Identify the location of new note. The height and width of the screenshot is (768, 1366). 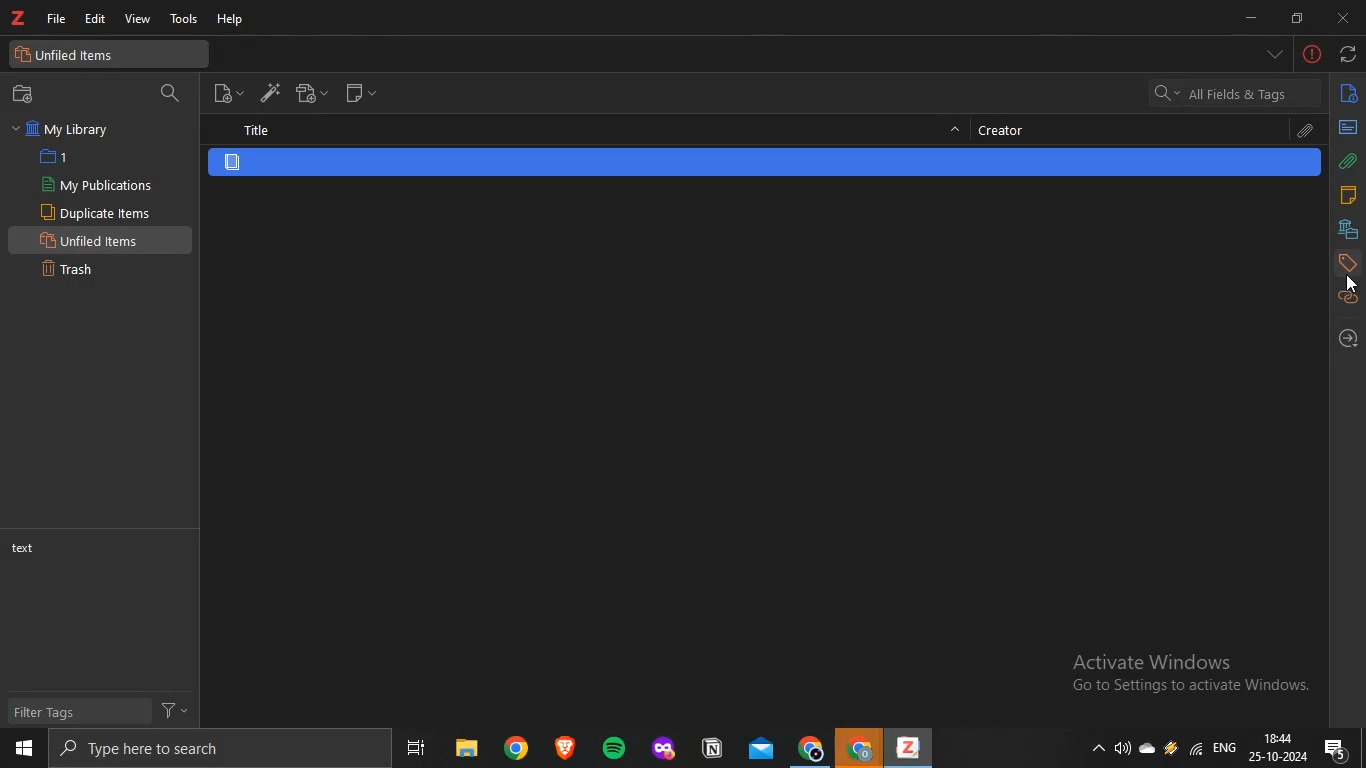
(365, 93).